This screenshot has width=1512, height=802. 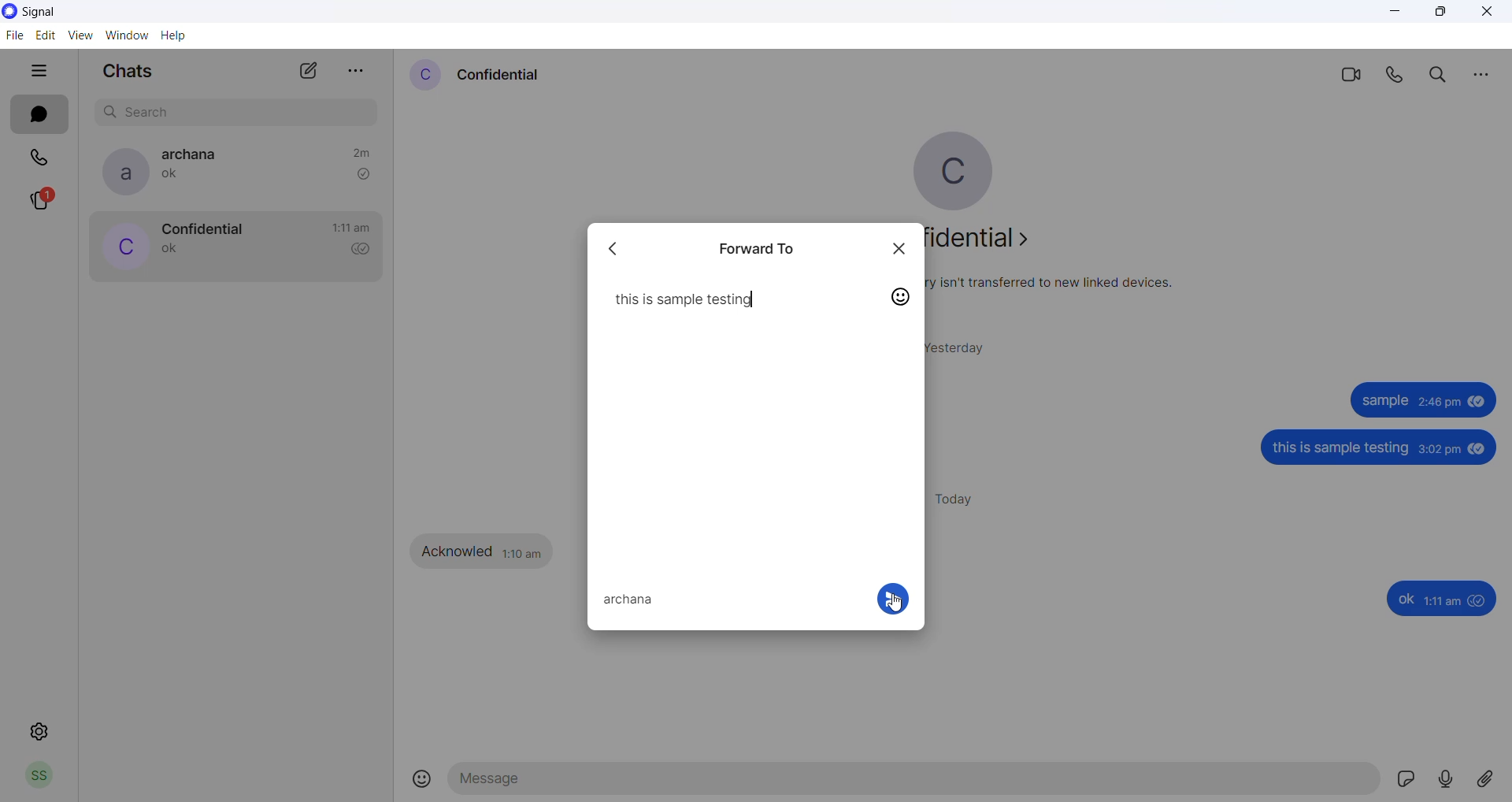 I want to click on profile picture, so click(x=965, y=171).